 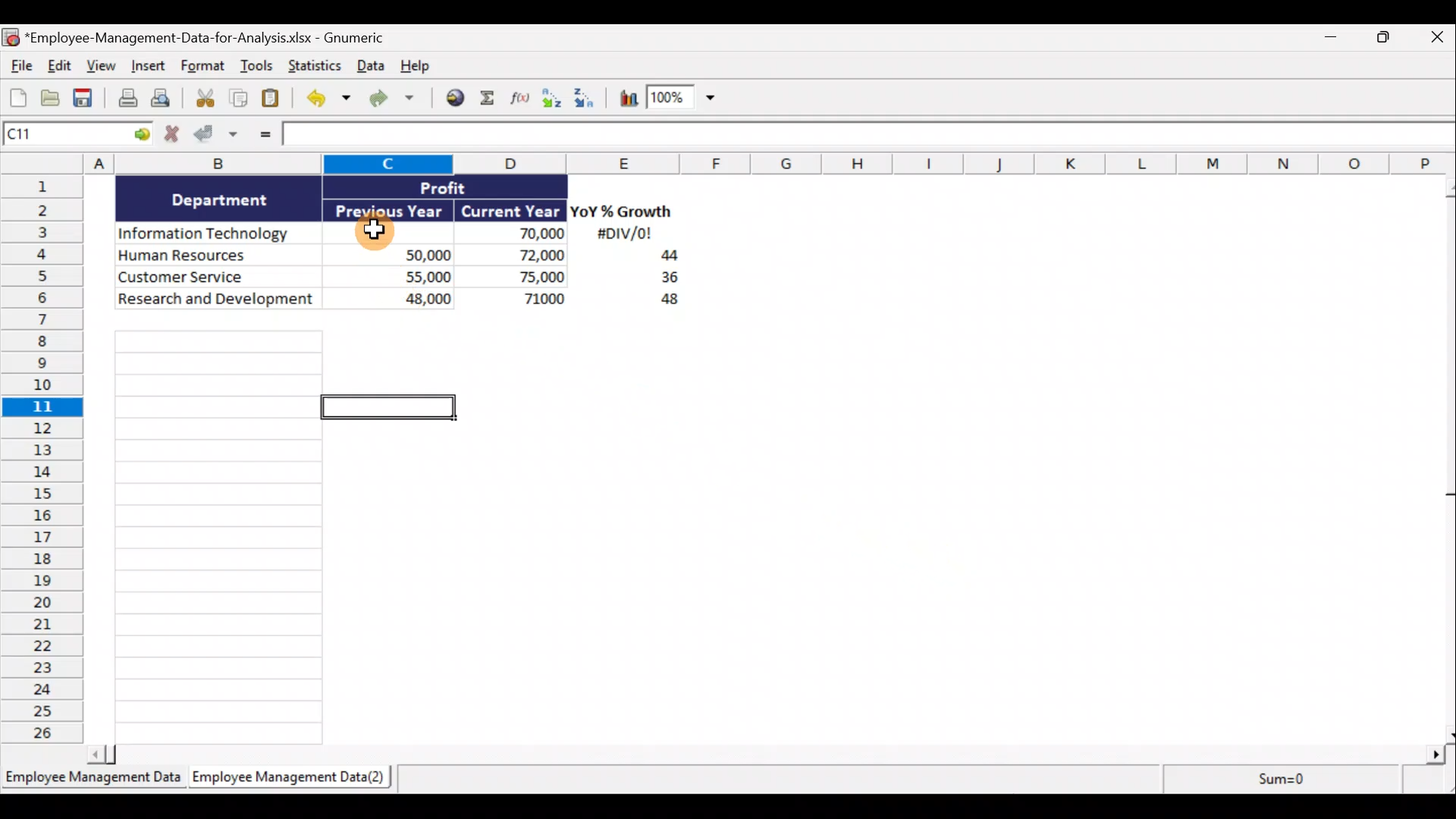 I want to click on Go to, so click(x=142, y=135).